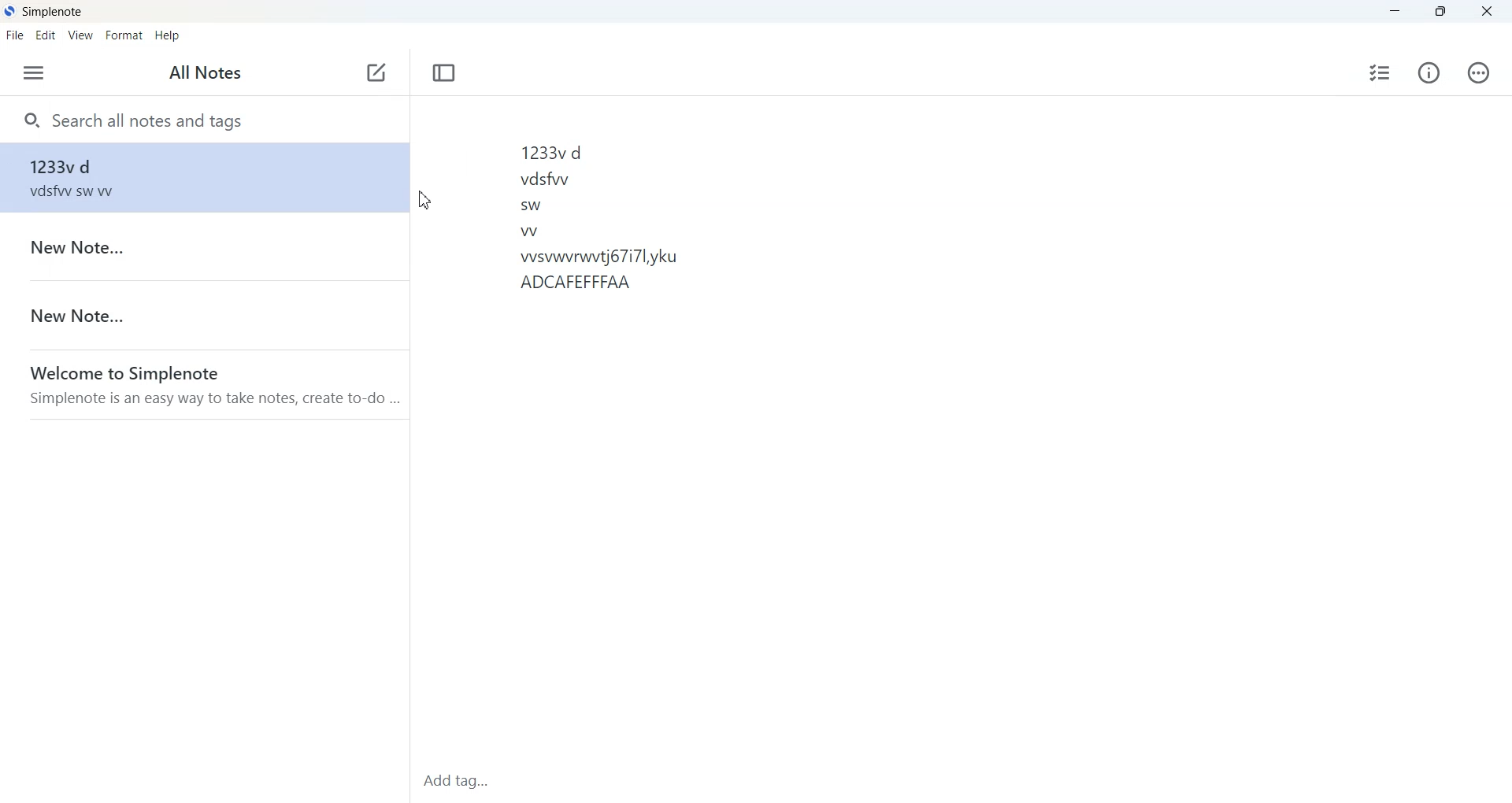  What do you see at coordinates (202, 315) in the screenshot?
I see `1233v d` at bounding box center [202, 315].